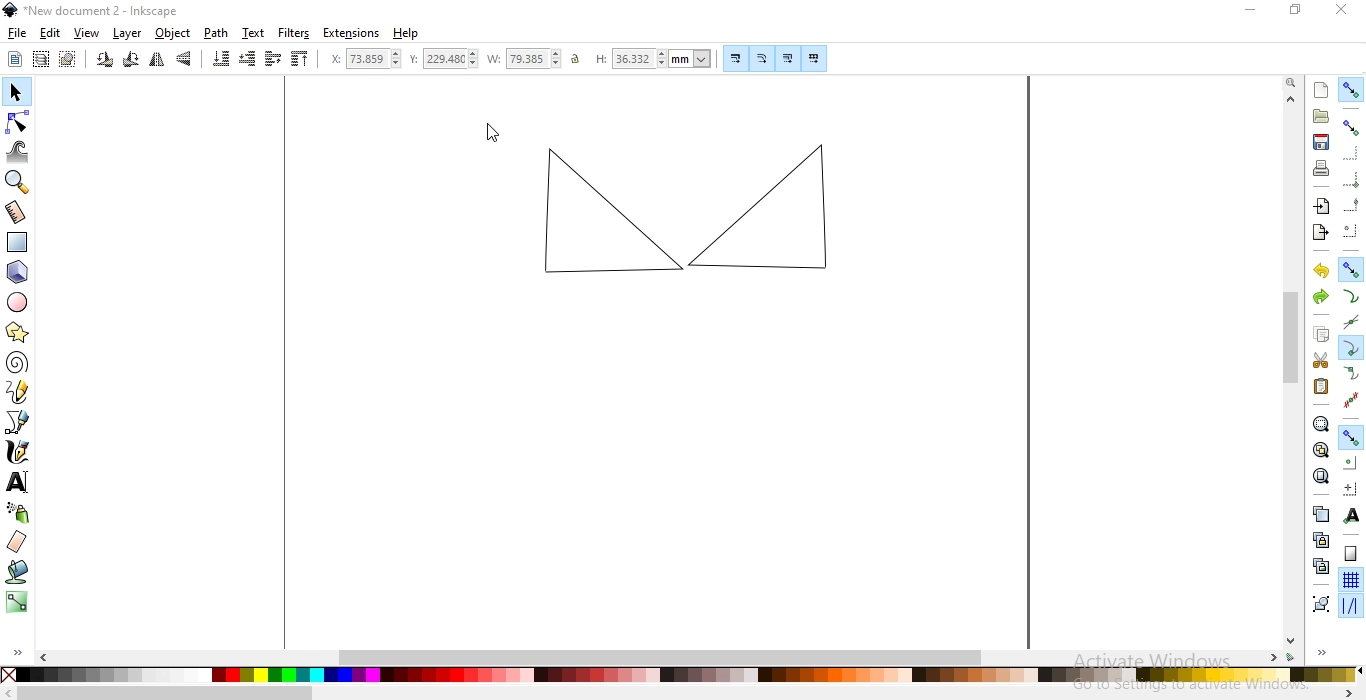 The height and width of the screenshot is (700, 1366). Describe the element at coordinates (1321, 424) in the screenshot. I see `zoom to fit selection in window` at that location.